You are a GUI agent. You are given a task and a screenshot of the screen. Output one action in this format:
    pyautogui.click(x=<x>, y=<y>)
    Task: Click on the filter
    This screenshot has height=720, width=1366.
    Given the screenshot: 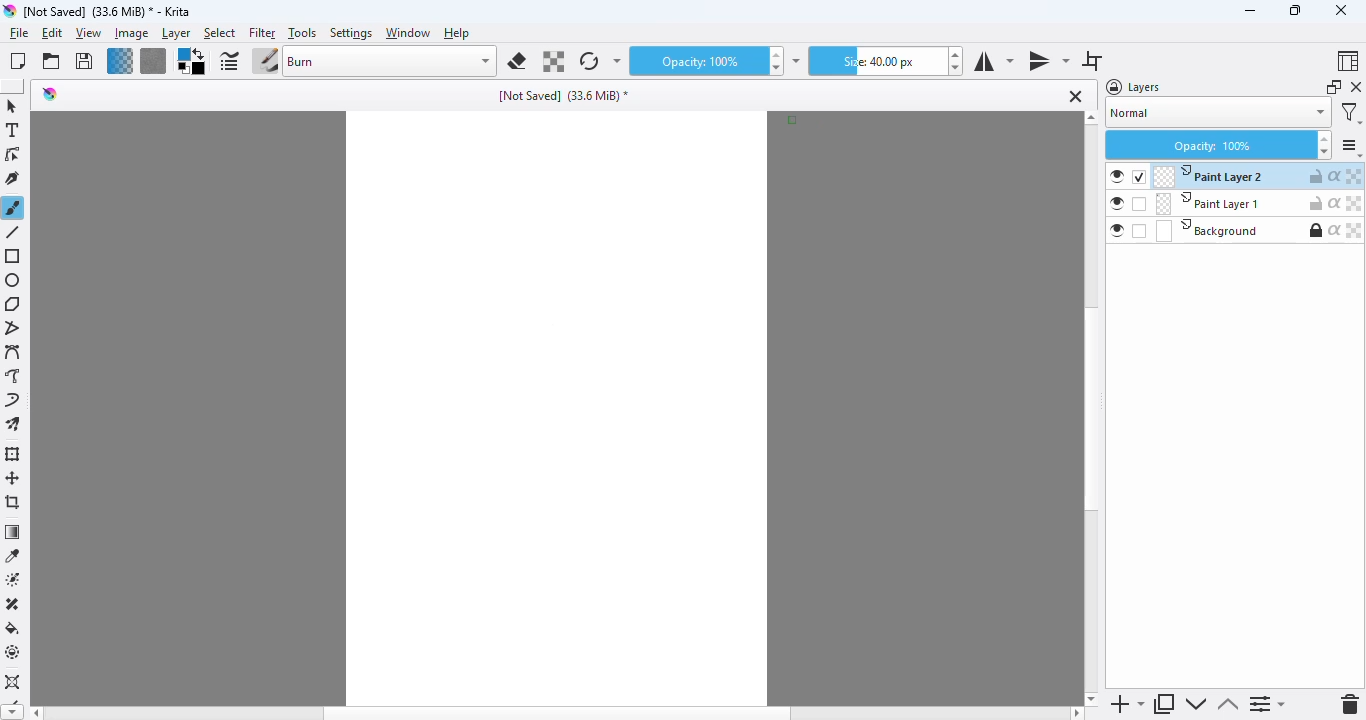 What is the action you would take?
    pyautogui.click(x=262, y=33)
    